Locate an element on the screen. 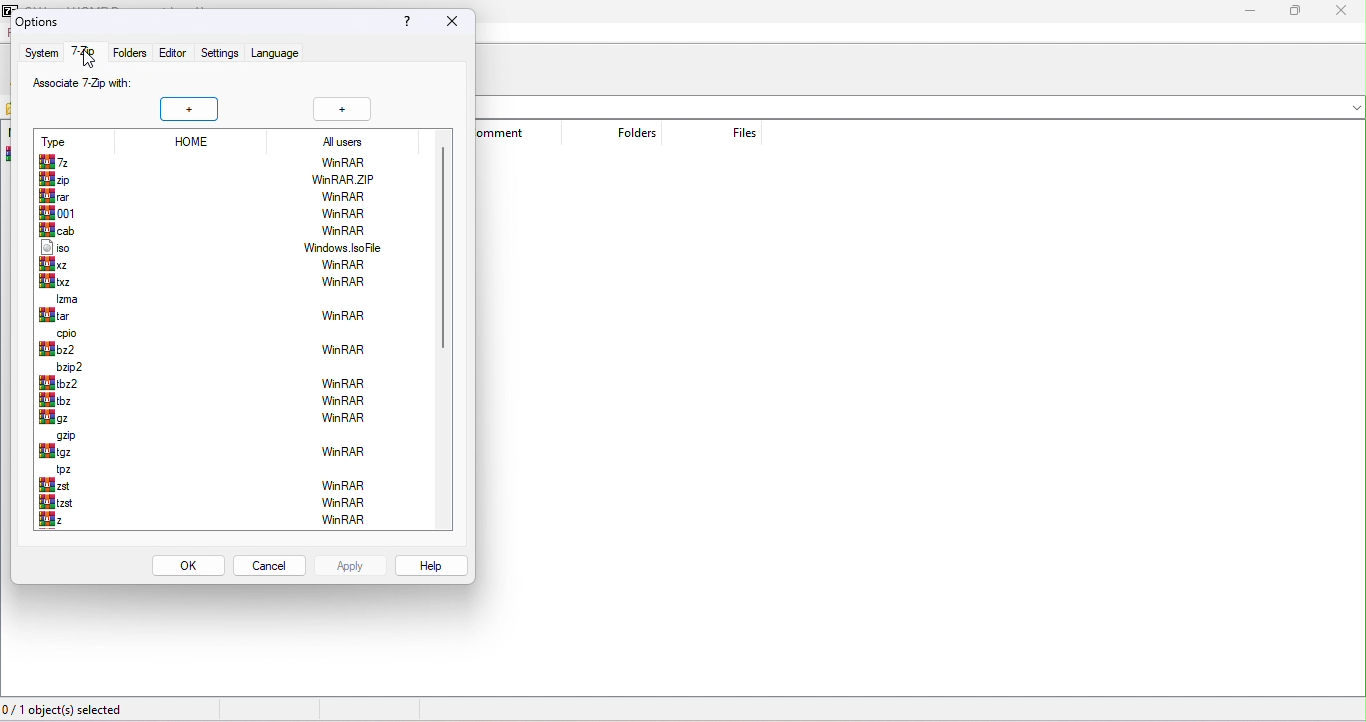  system is located at coordinates (38, 52).